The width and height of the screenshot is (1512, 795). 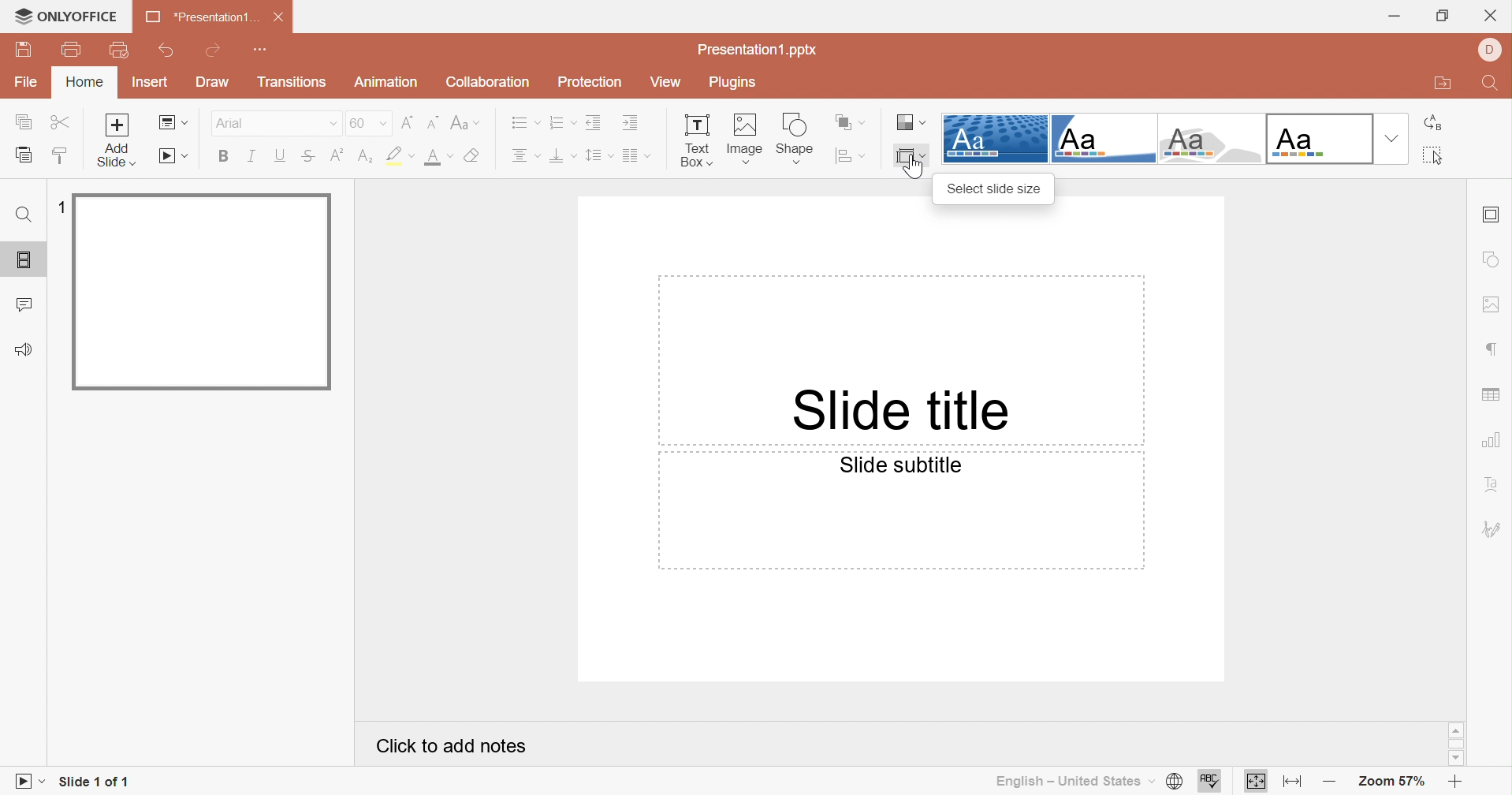 I want to click on Copy style, so click(x=61, y=155).